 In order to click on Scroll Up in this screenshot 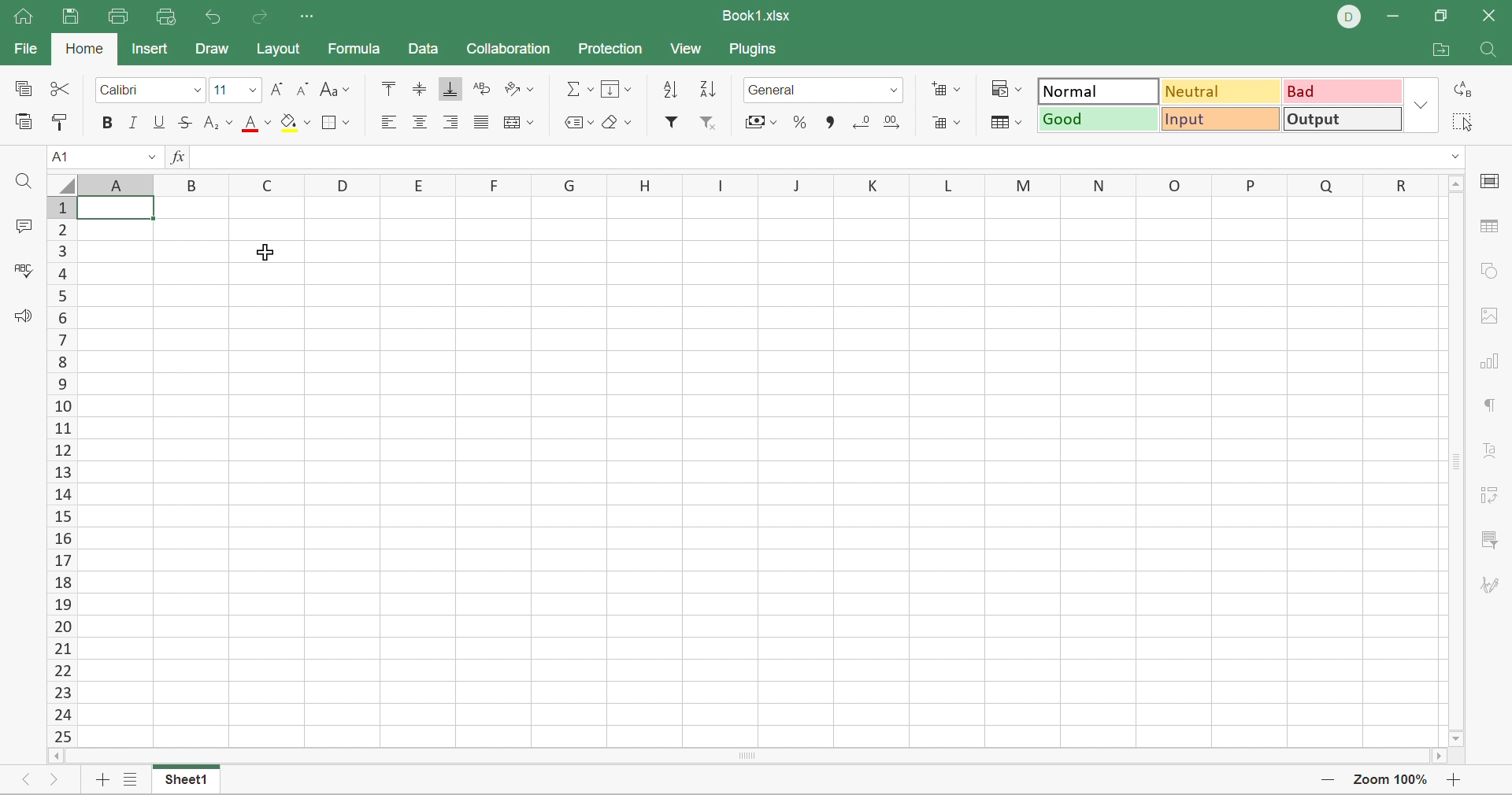, I will do `click(1458, 187)`.